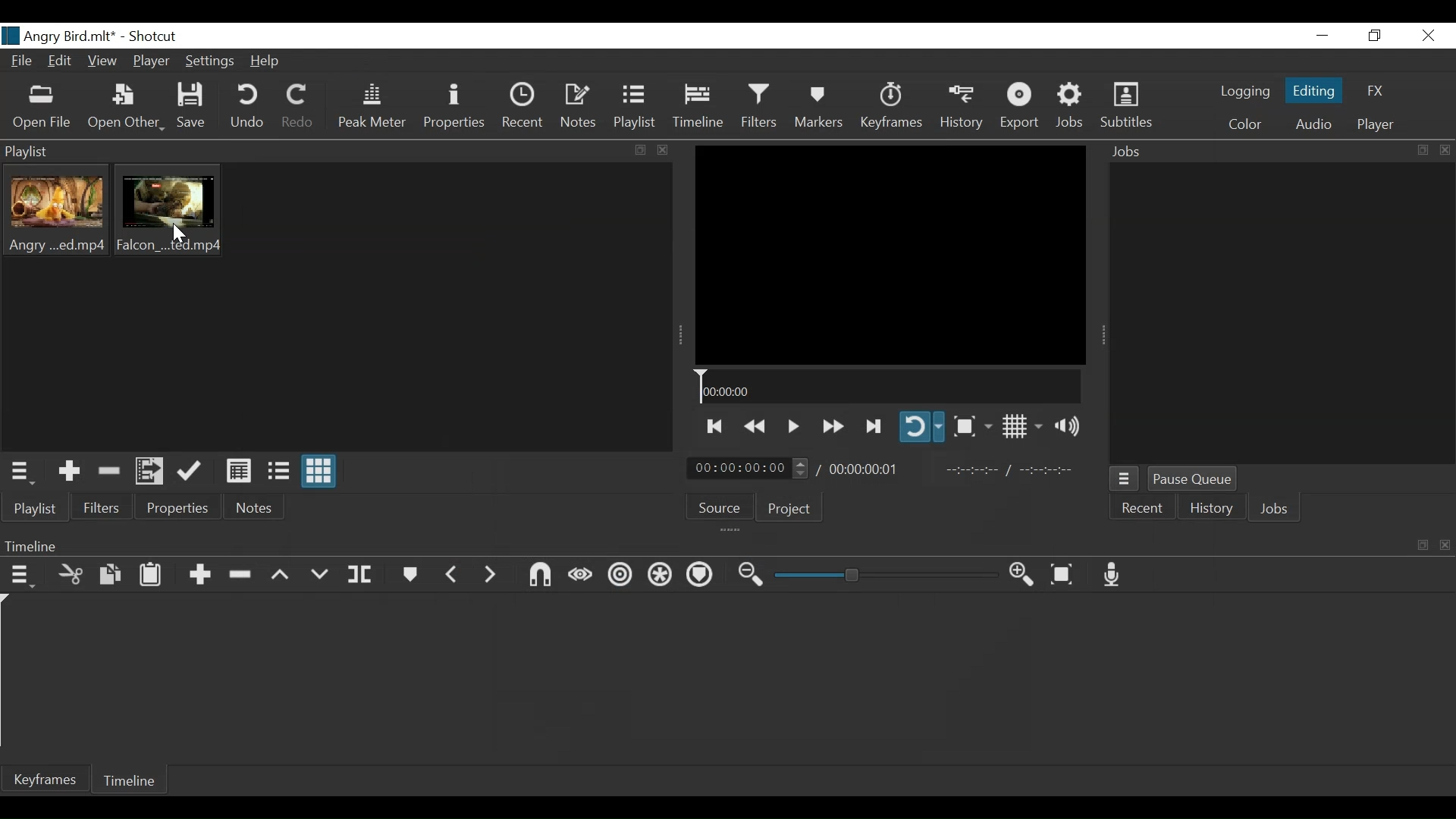  What do you see at coordinates (270, 61) in the screenshot?
I see `Help` at bounding box center [270, 61].